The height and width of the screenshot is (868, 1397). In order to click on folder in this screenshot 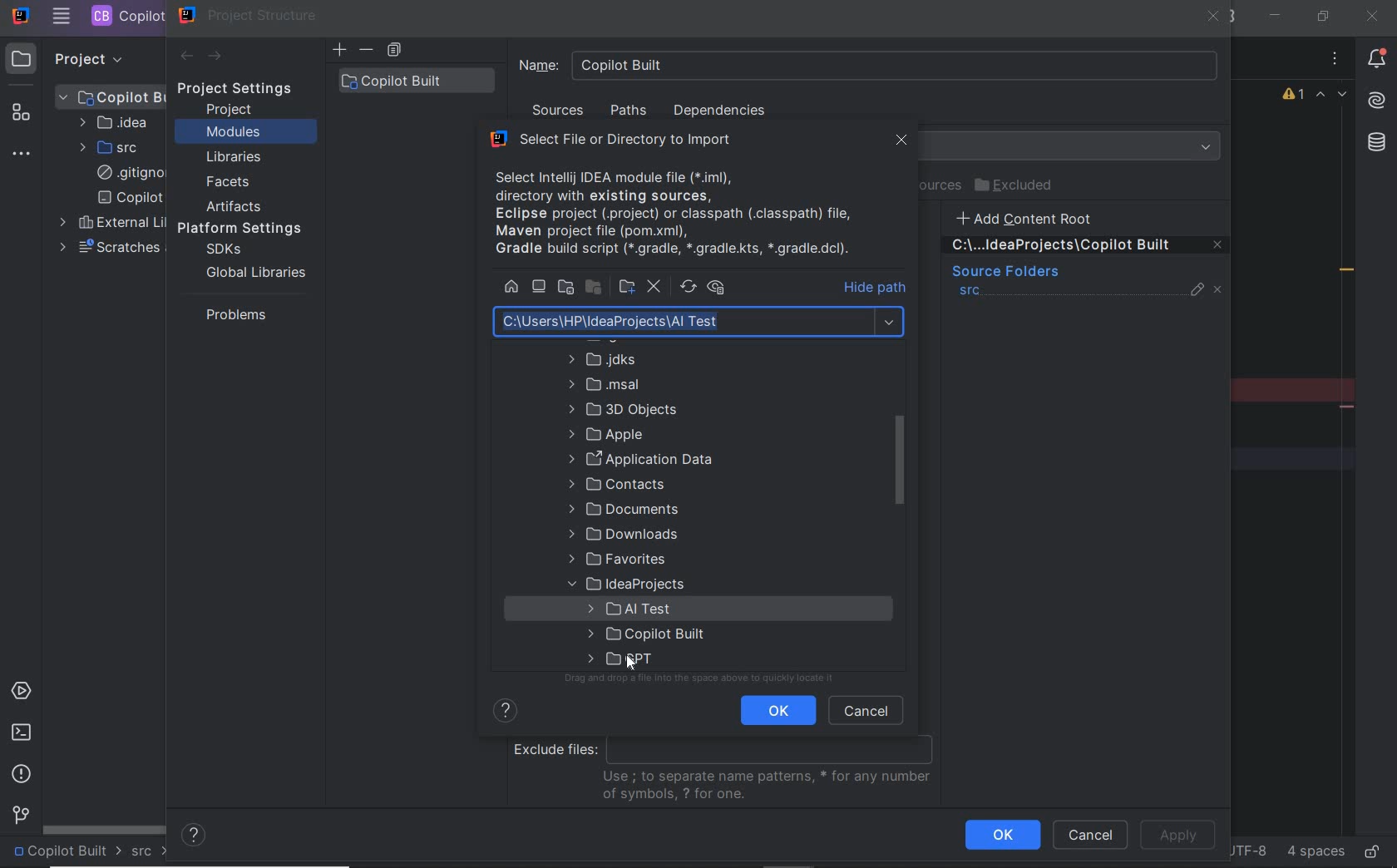, I will do `click(626, 584)`.